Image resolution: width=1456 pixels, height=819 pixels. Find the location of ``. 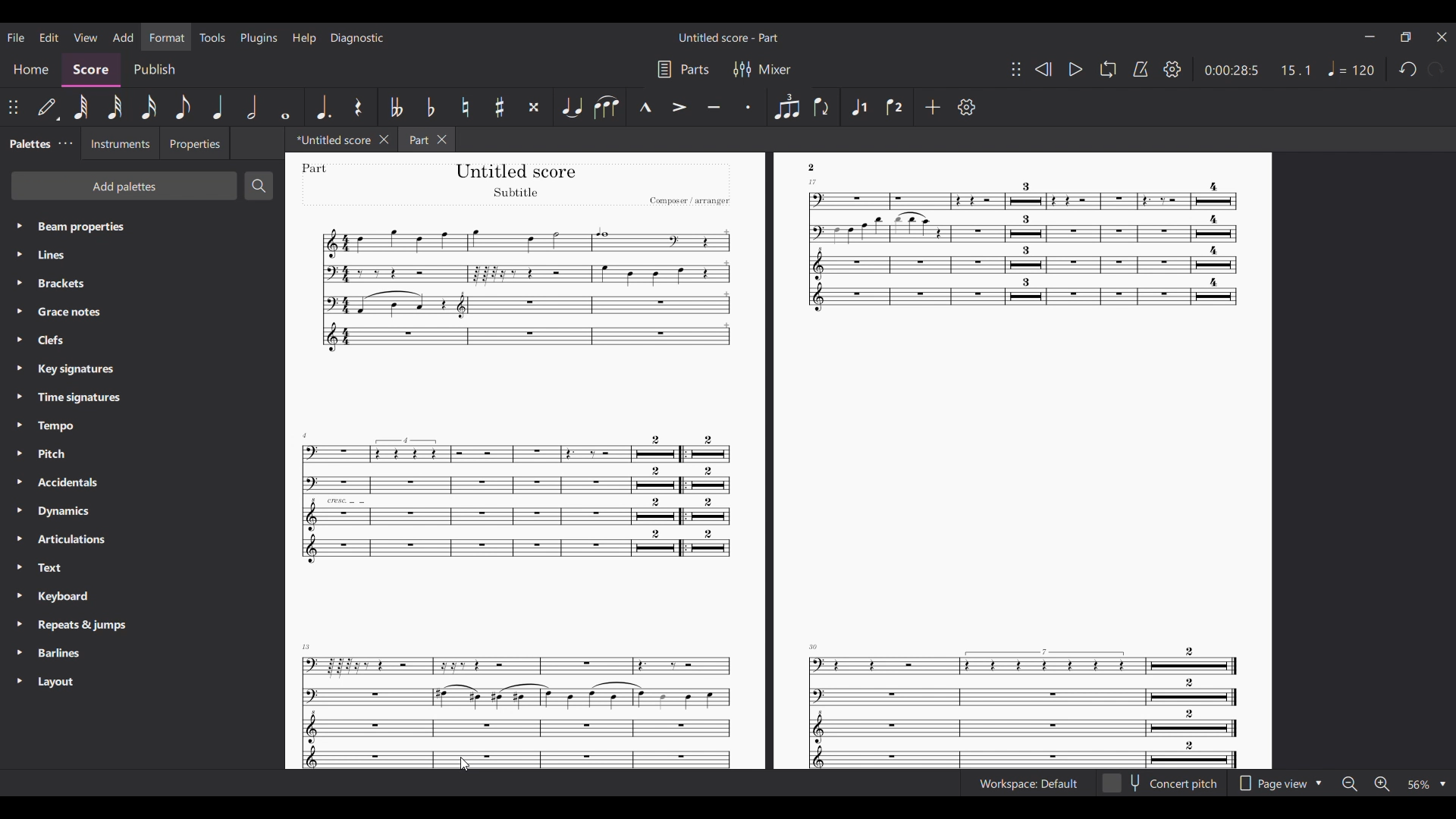

 is located at coordinates (322, 168).